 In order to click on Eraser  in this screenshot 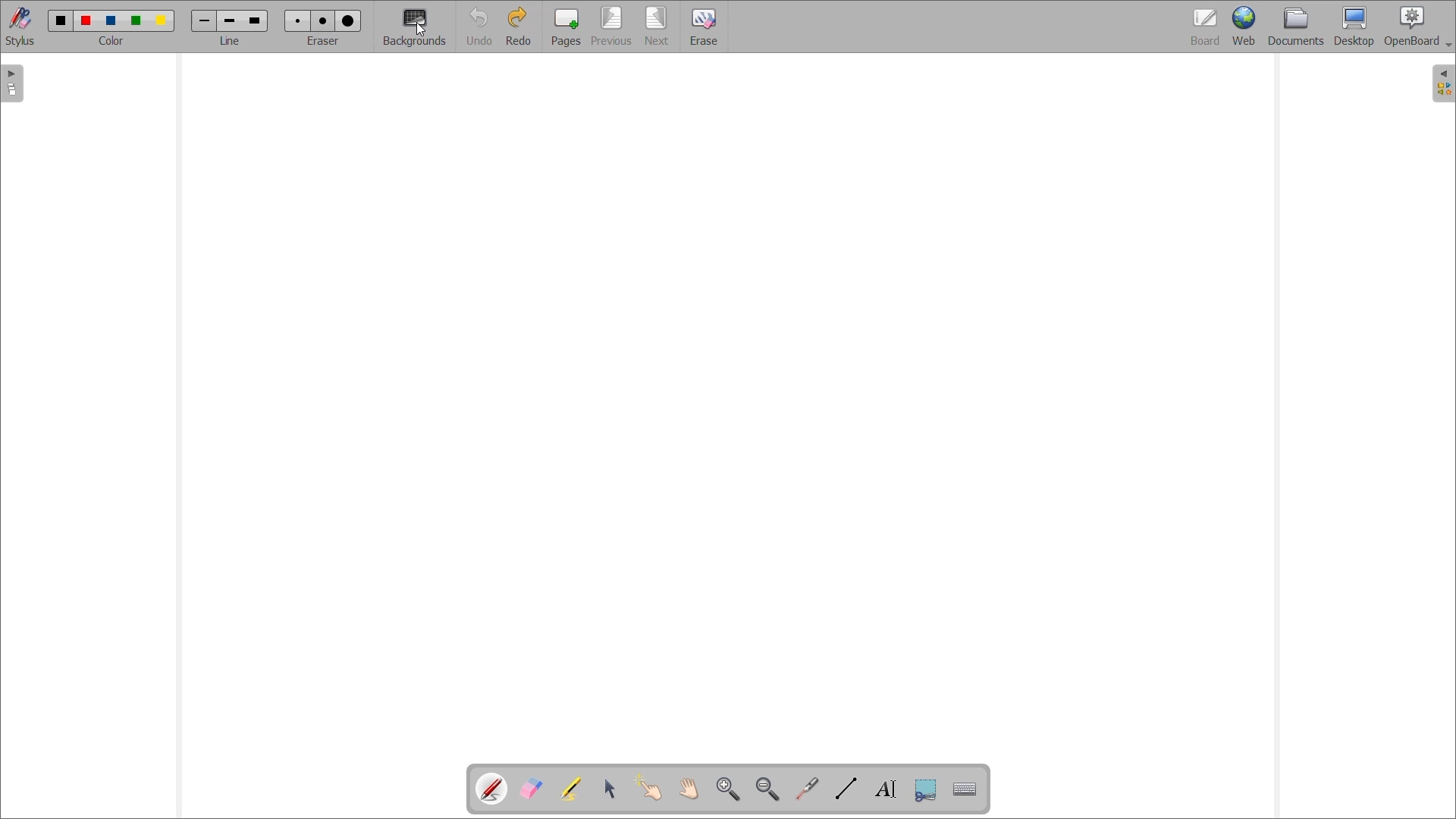, I will do `click(322, 41)`.